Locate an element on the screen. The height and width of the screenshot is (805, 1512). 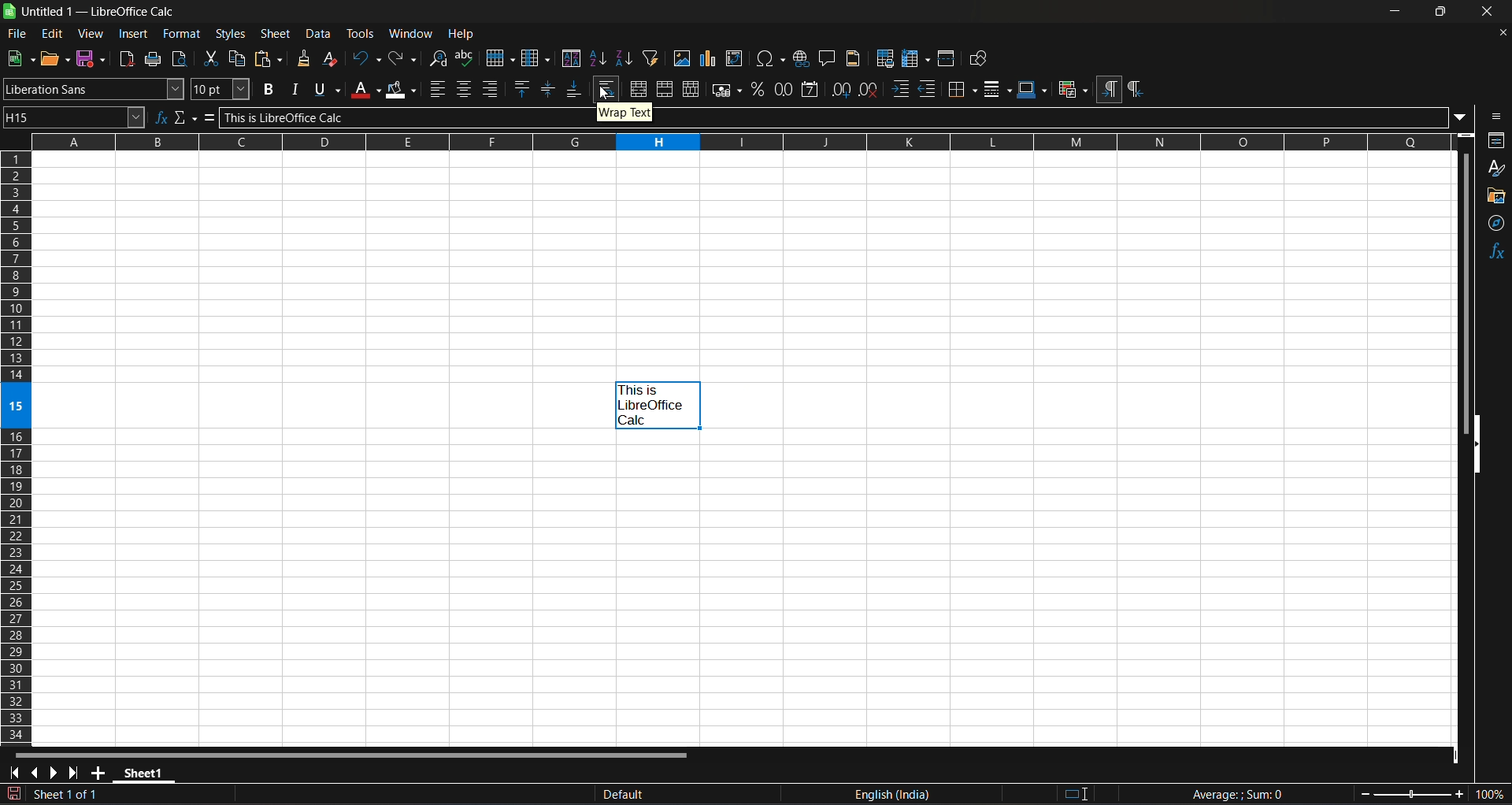
format as date is located at coordinates (812, 90).